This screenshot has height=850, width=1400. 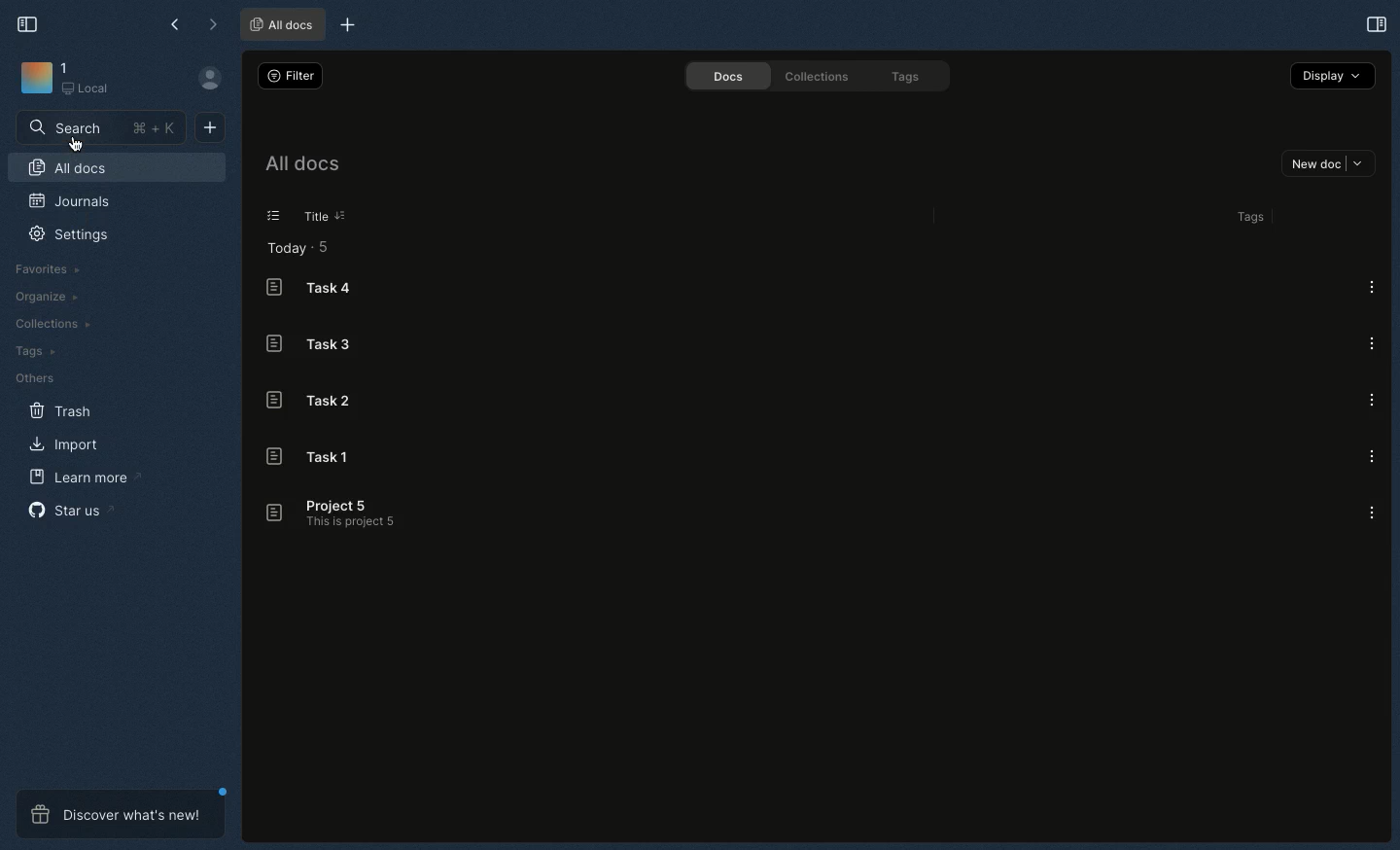 I want to click on All docs, so click(x=311, y=166).